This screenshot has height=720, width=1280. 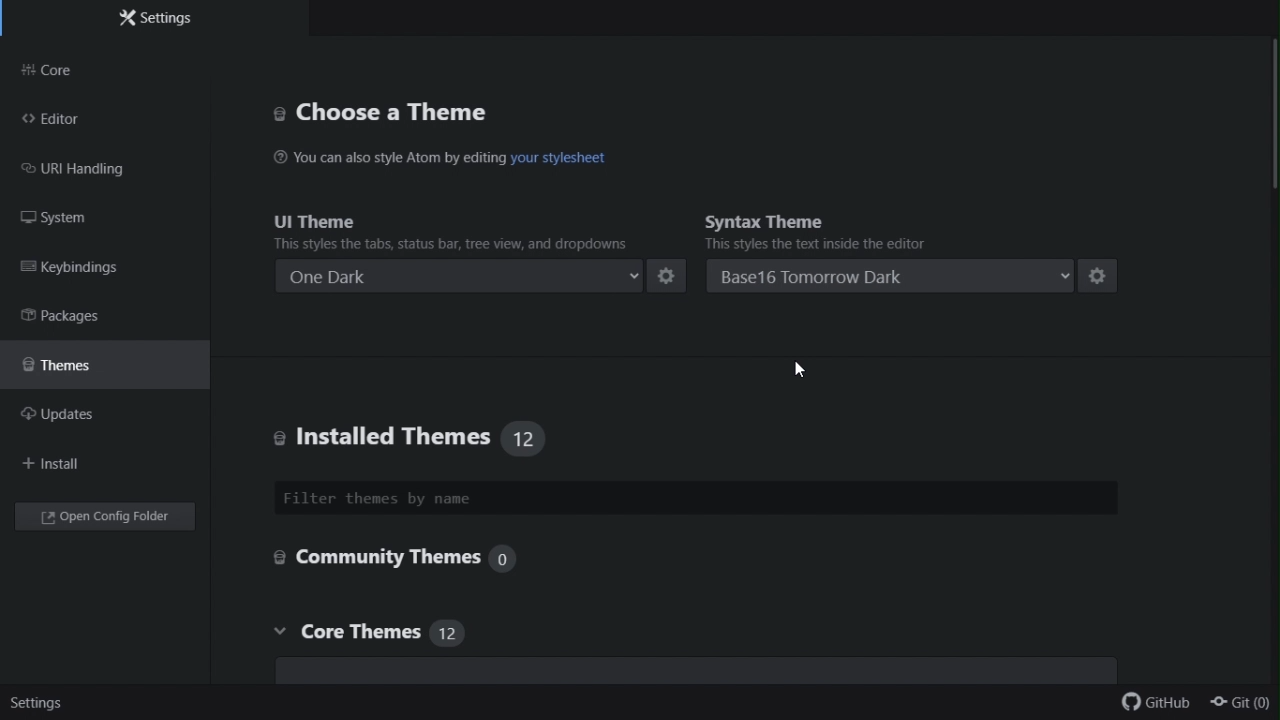 I want to click on hyperlink, so click(x=559, y=160).